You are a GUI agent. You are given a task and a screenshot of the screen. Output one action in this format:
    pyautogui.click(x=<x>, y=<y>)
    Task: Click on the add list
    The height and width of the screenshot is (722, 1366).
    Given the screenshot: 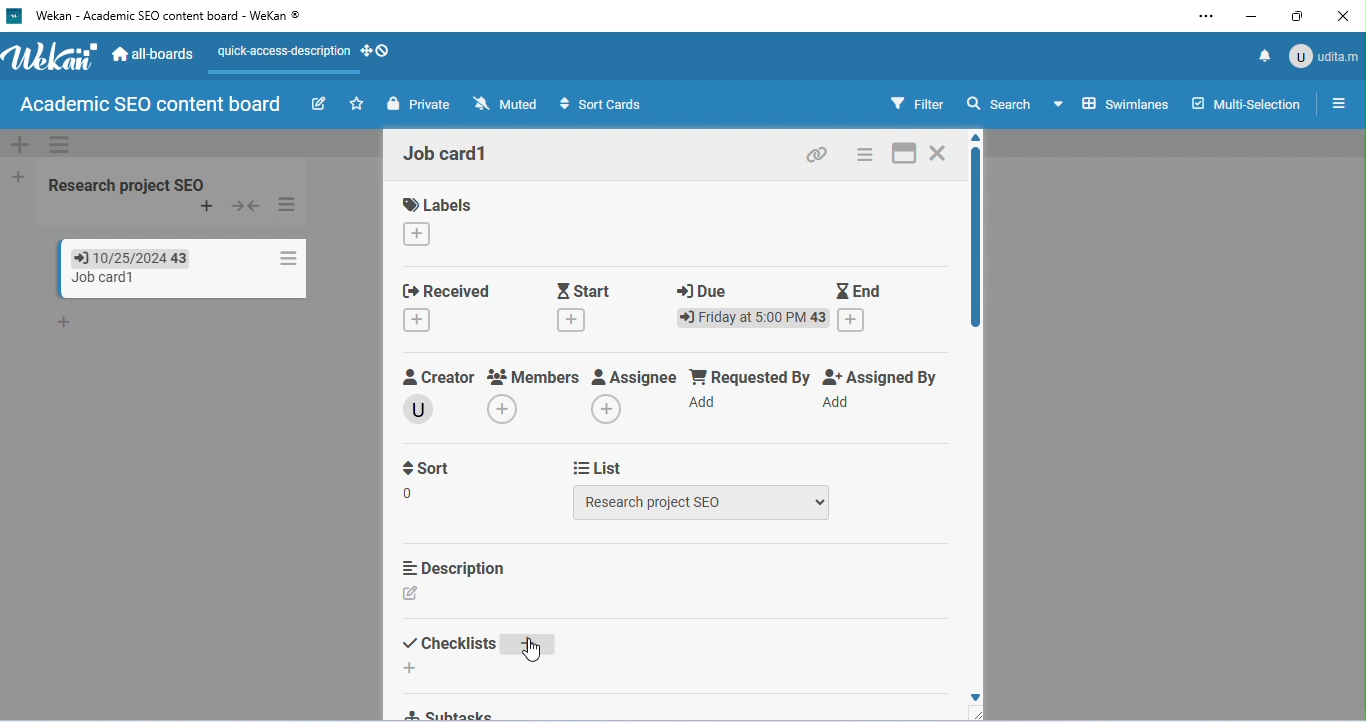 What is the action you would take?
    pyautogui.click(x=15, y=175)
    